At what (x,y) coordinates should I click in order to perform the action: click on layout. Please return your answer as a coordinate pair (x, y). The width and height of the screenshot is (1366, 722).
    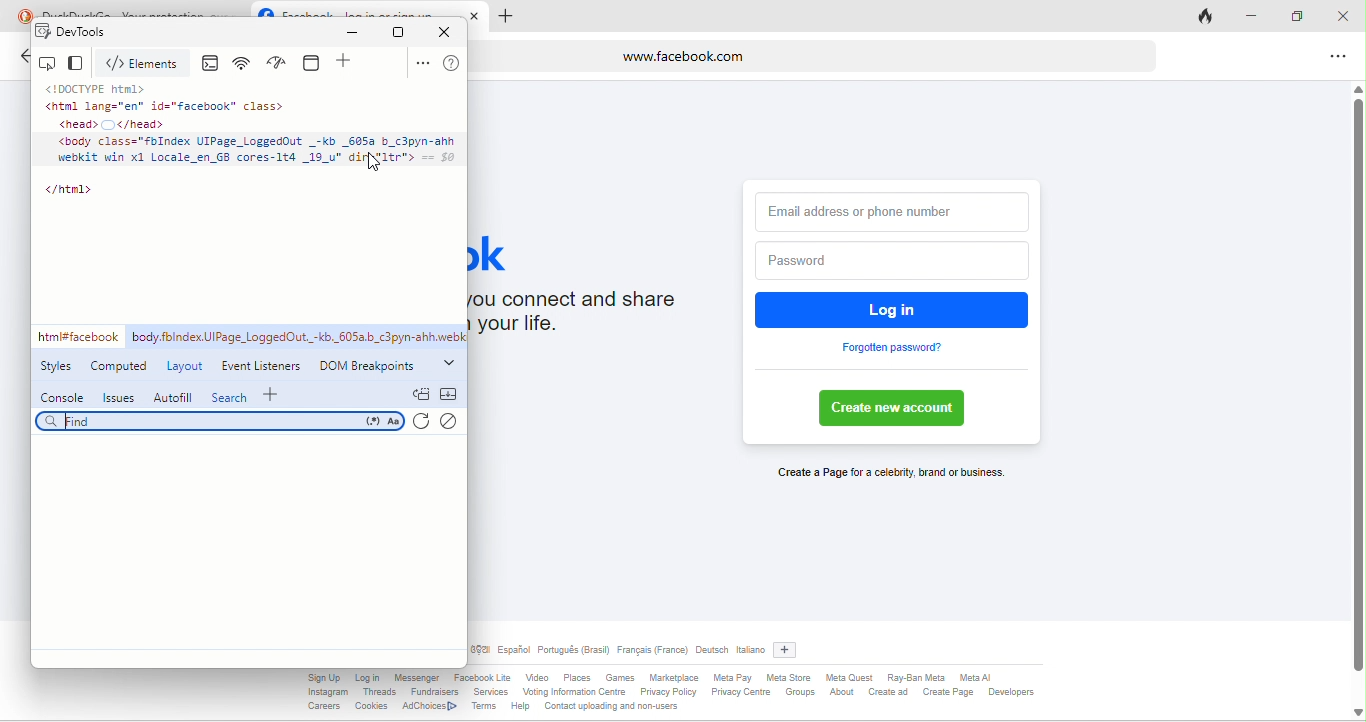
    Looking at the image, I should click on (184, 364).